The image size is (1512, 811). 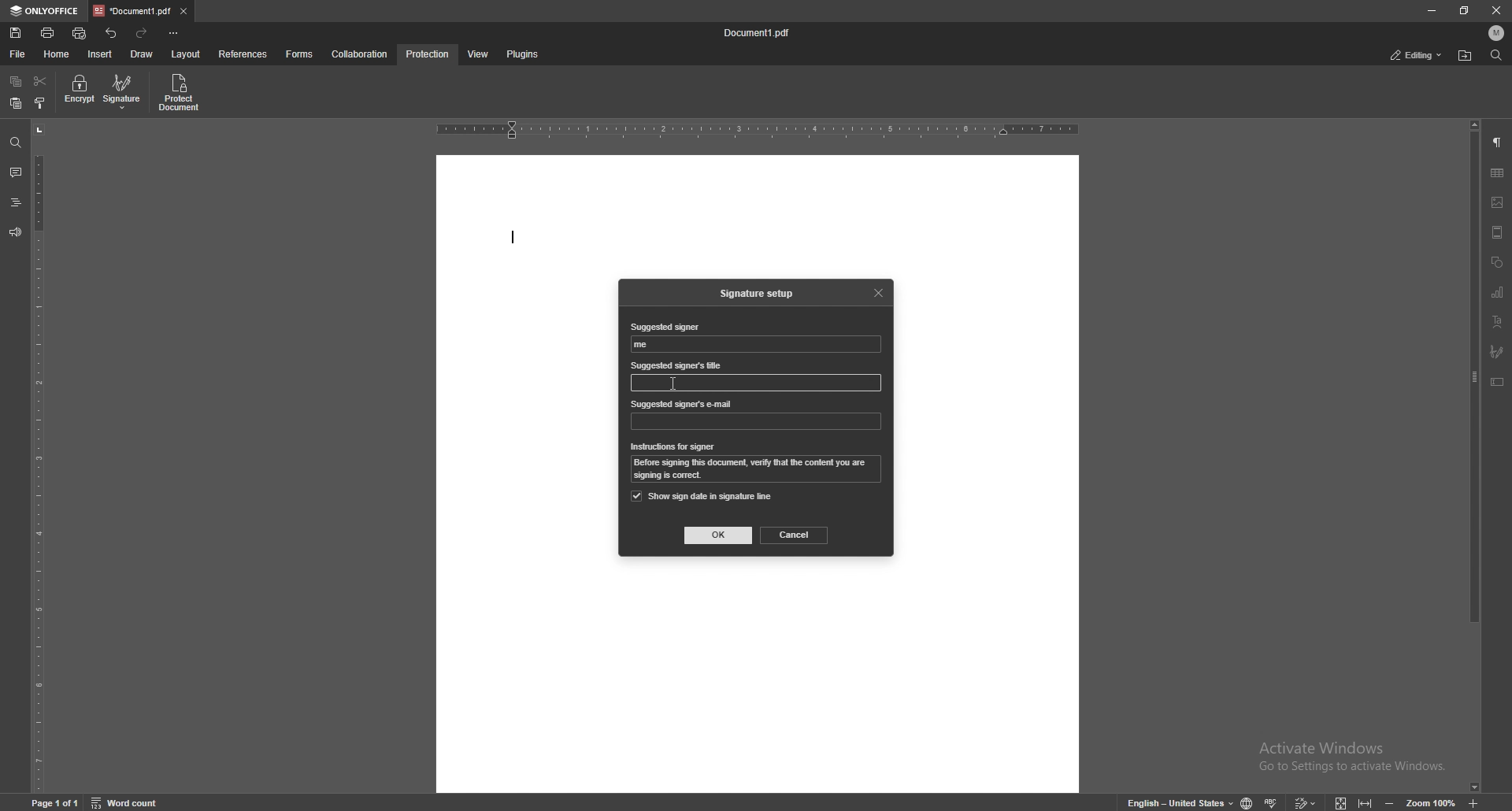 I want to click on paste, so click(x=15, y=104).